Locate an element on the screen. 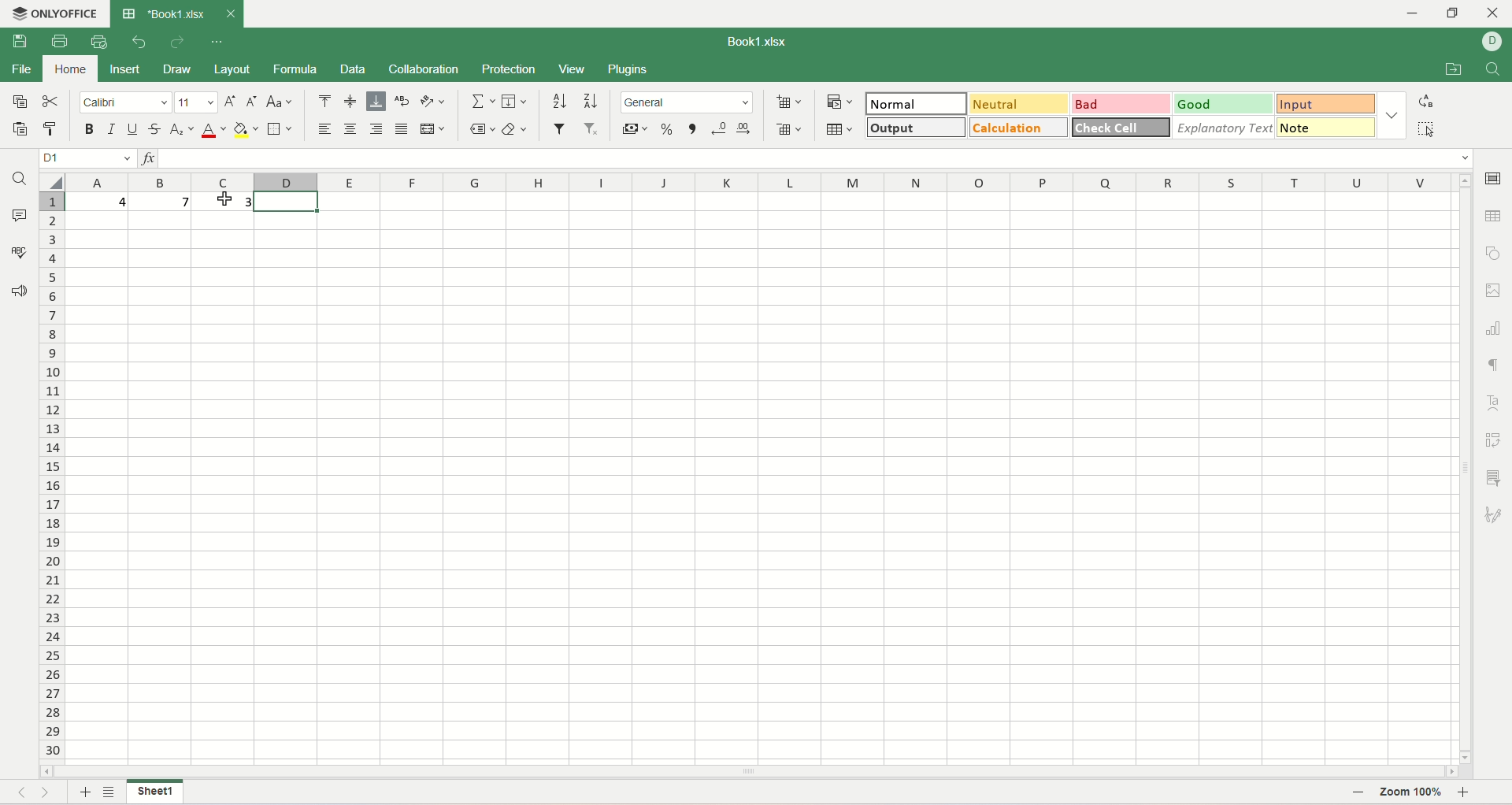 This screenshot has height=805, width=1512. username is located at coordinates (1492, 43).